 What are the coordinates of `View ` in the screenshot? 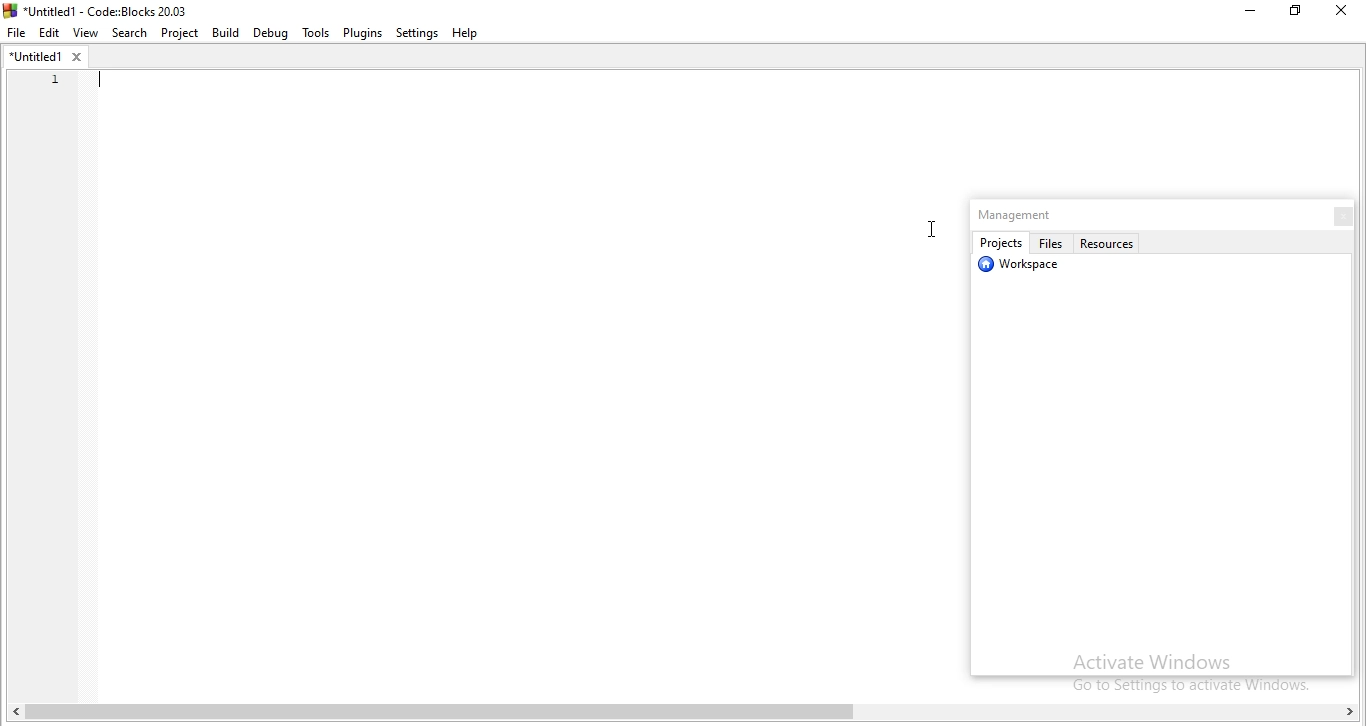 It's located at (88, 31).